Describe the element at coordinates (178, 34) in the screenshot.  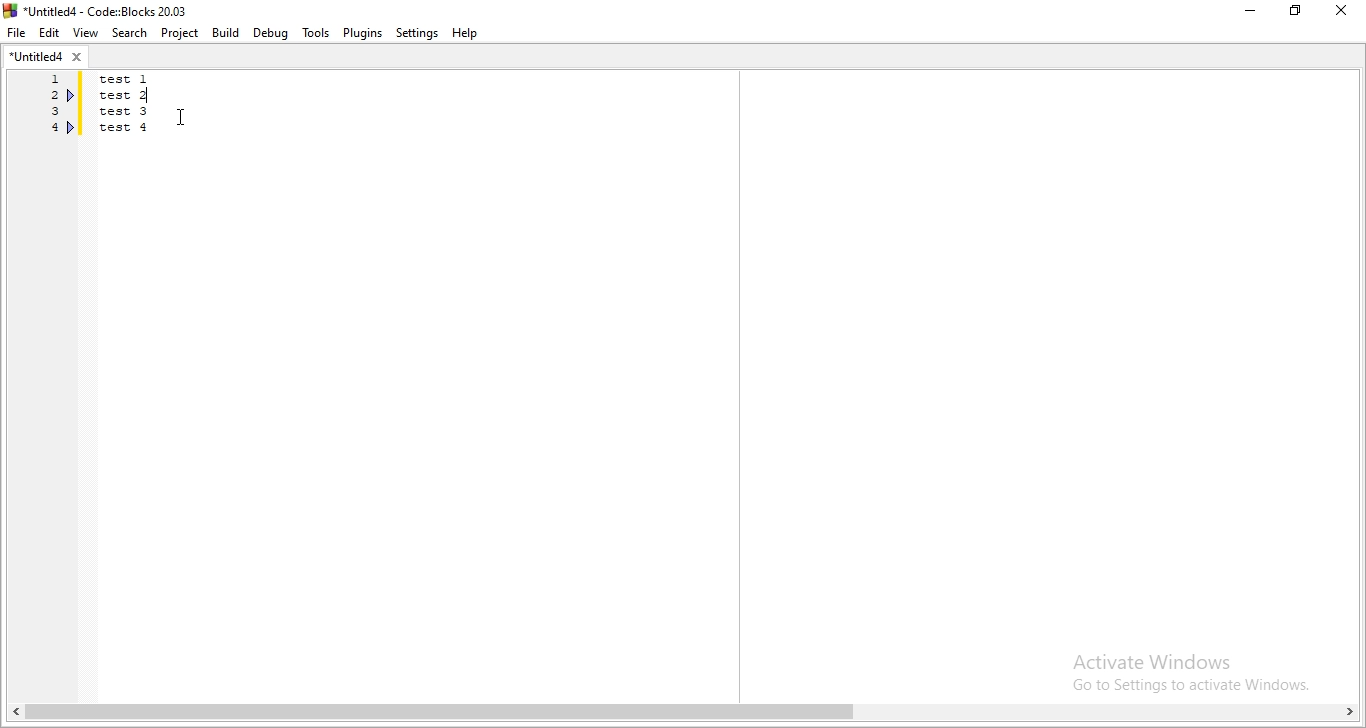
I see `Project ` at that location.